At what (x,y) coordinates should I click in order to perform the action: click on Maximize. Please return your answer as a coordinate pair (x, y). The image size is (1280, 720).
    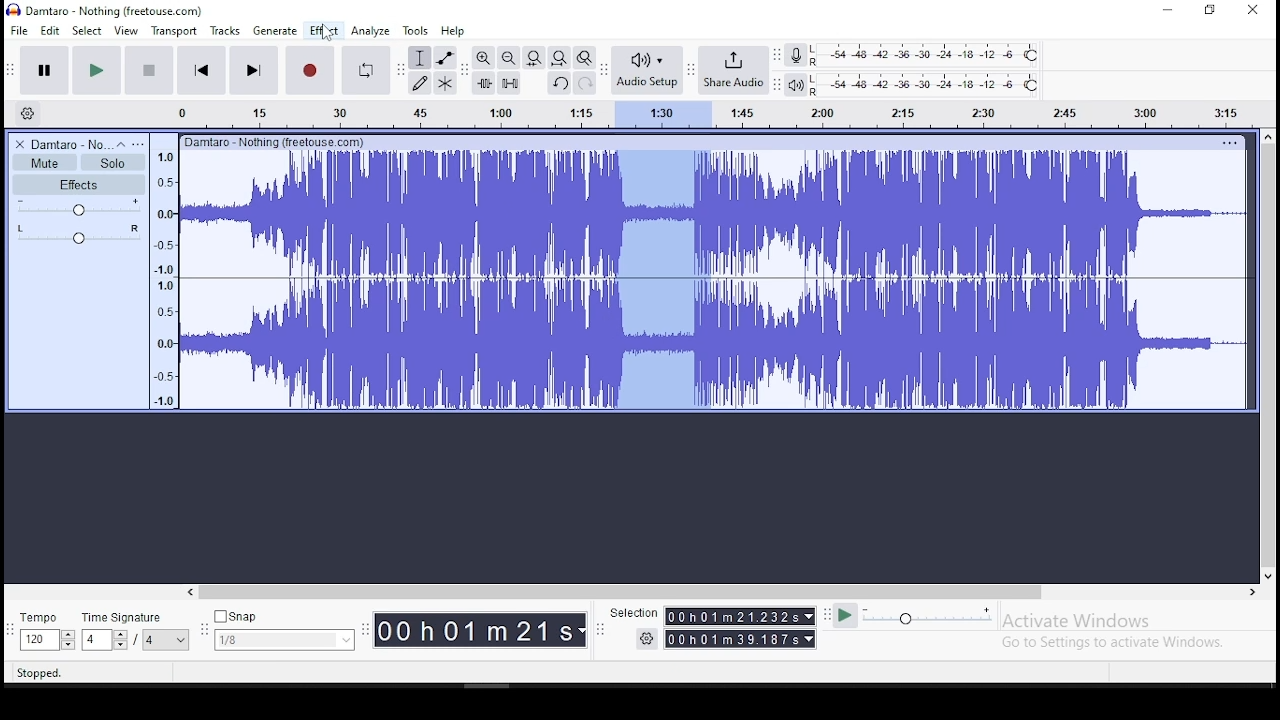
    Looking at the image, I should click on (1210, 10).